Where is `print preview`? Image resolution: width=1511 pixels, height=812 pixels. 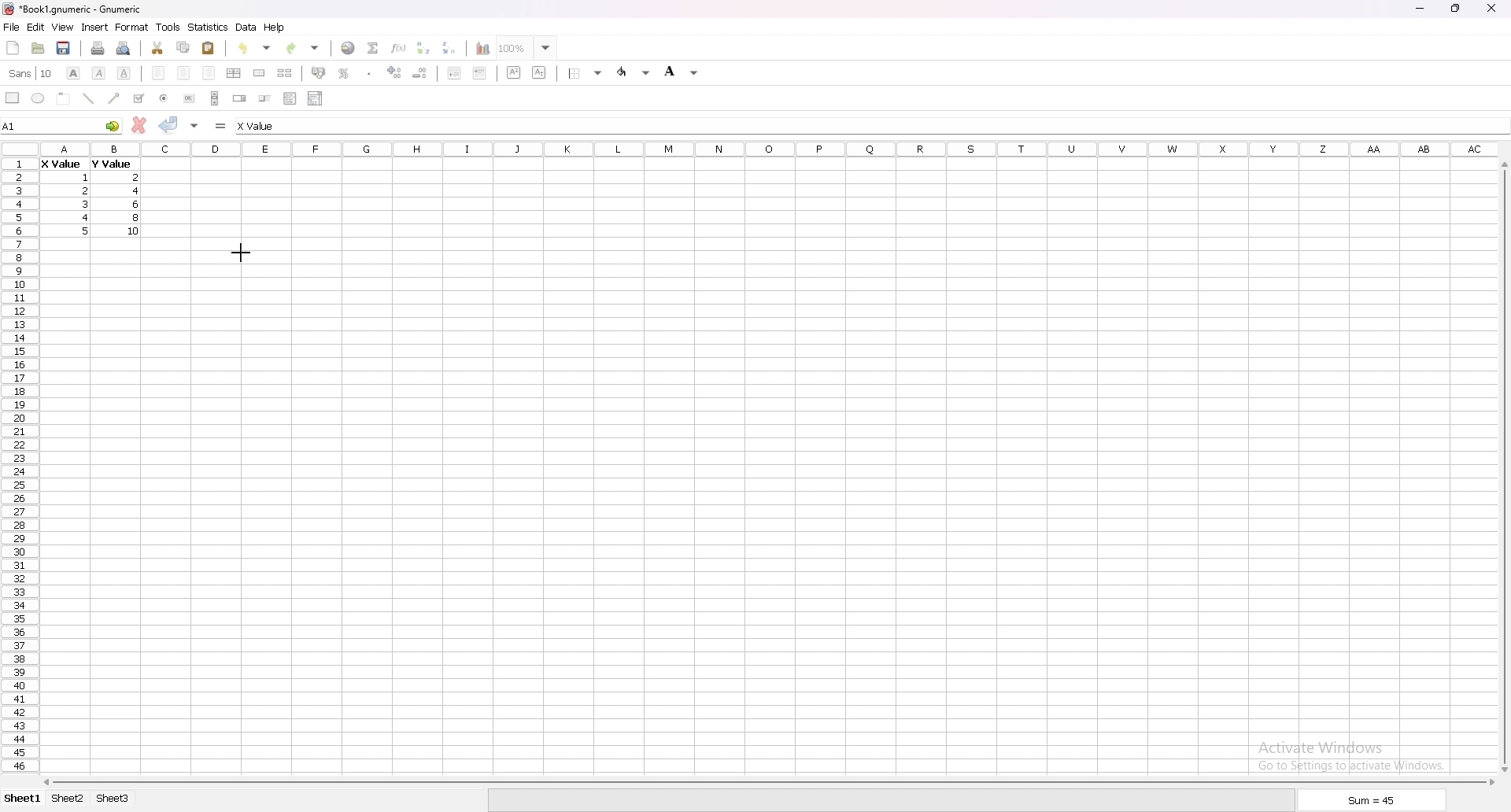 print preview is located at coordinates (124, 48).